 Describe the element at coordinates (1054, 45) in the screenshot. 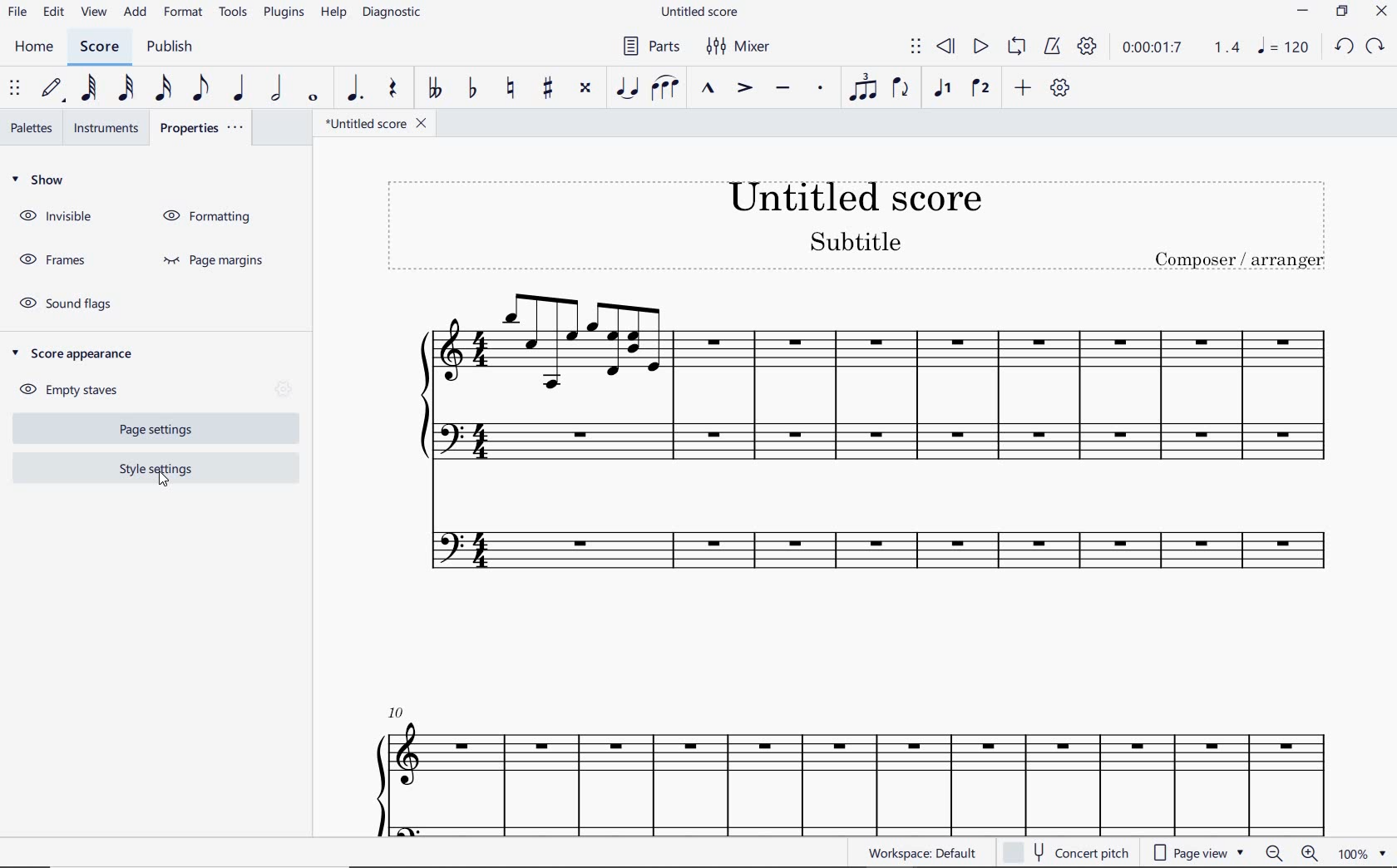

I see `METRONOME` at that location.